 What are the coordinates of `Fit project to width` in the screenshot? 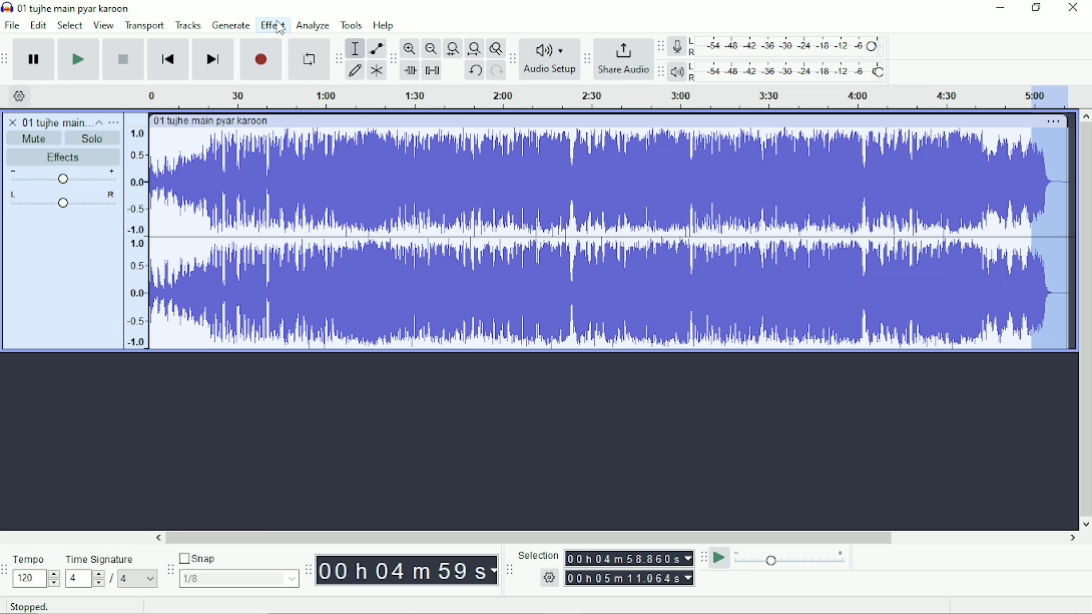 It's located at (474, 48).